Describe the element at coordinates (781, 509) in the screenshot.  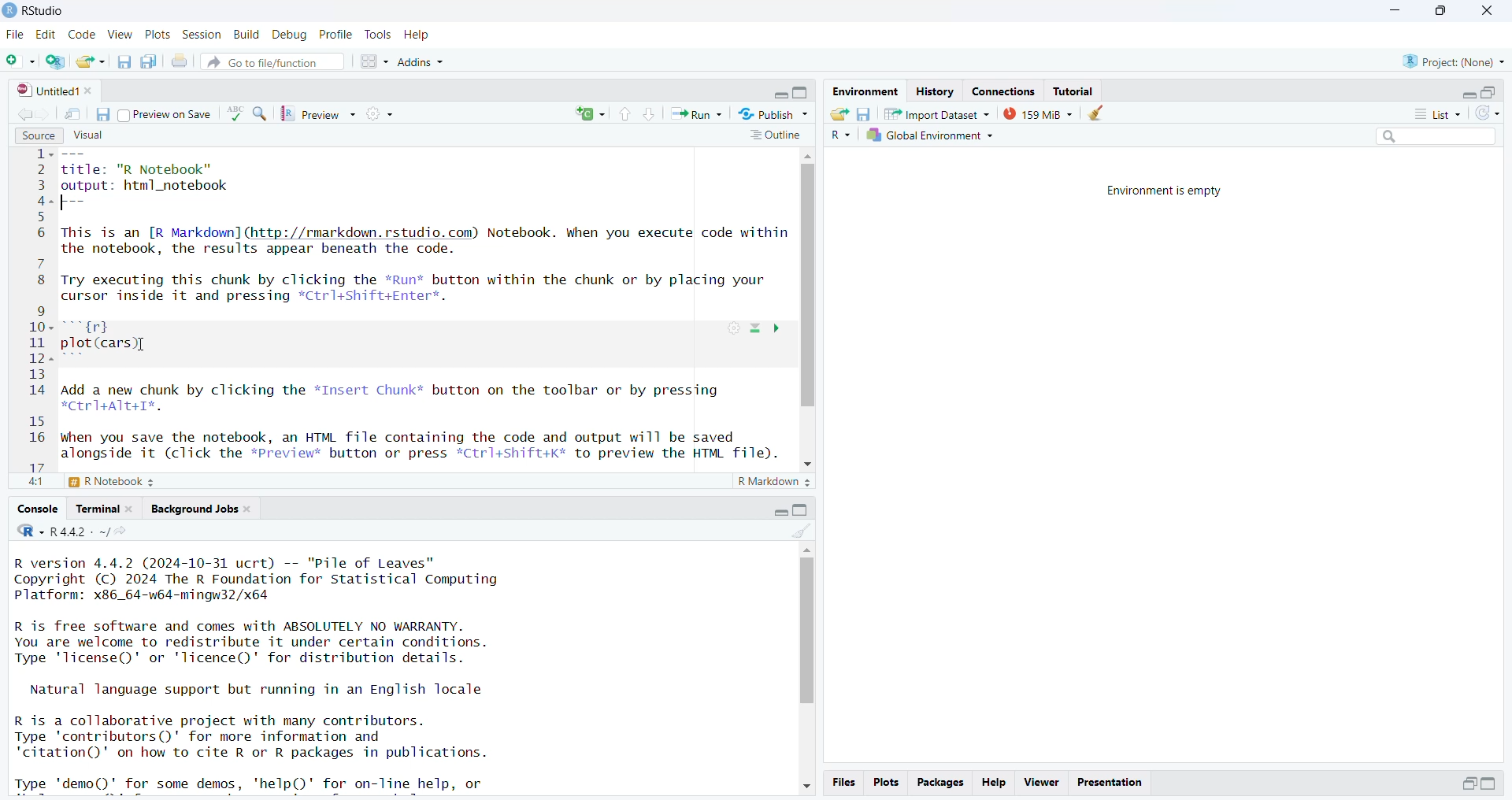
I see `expand` at that location.